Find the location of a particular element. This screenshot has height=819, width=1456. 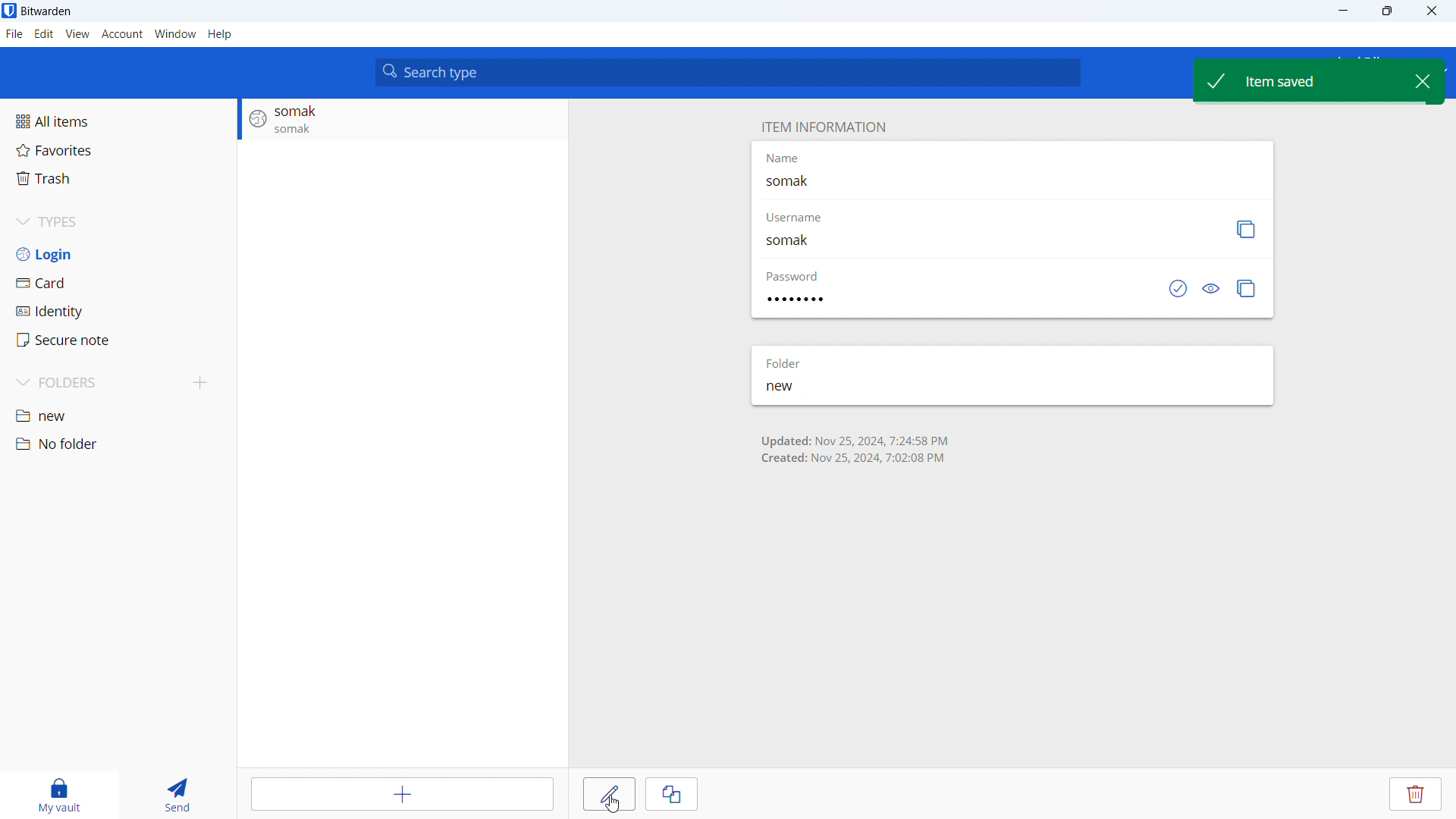

toggle visibility is located at coordinates (1213, 288).